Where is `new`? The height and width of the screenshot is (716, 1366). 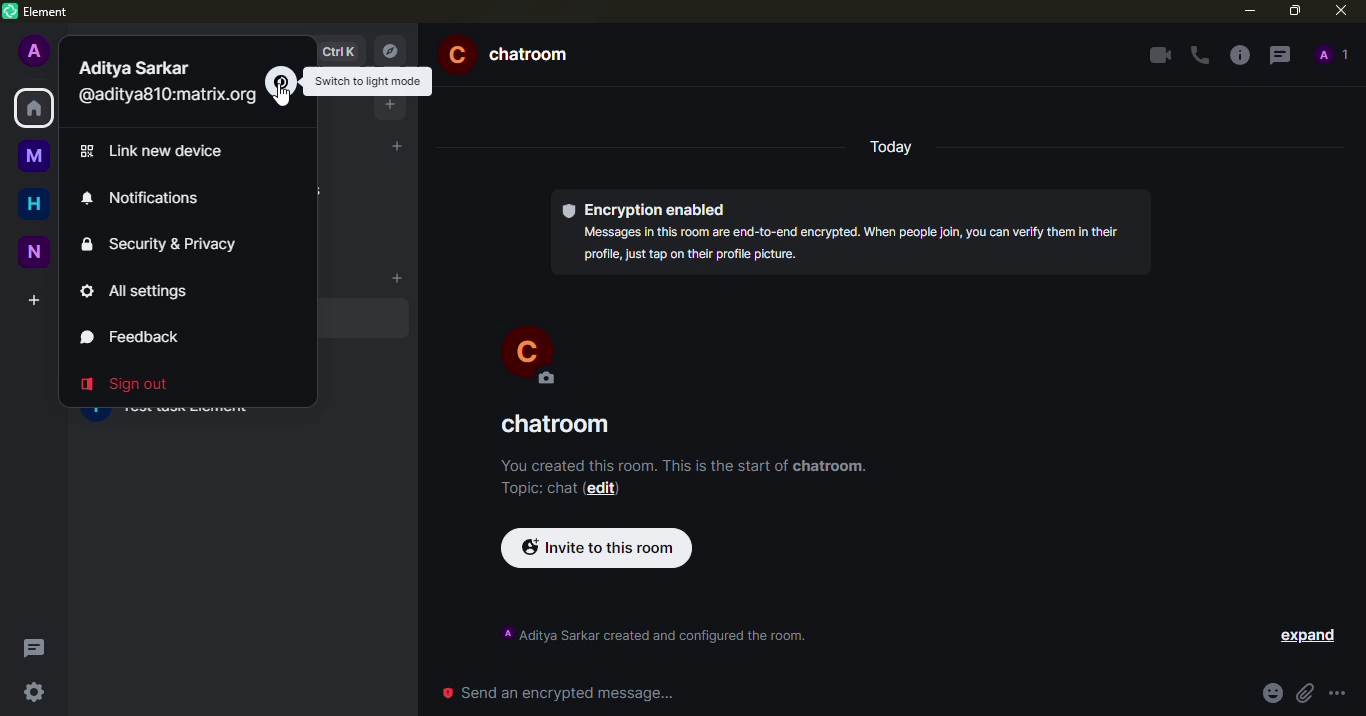
new is located at coordinates (34, 250).